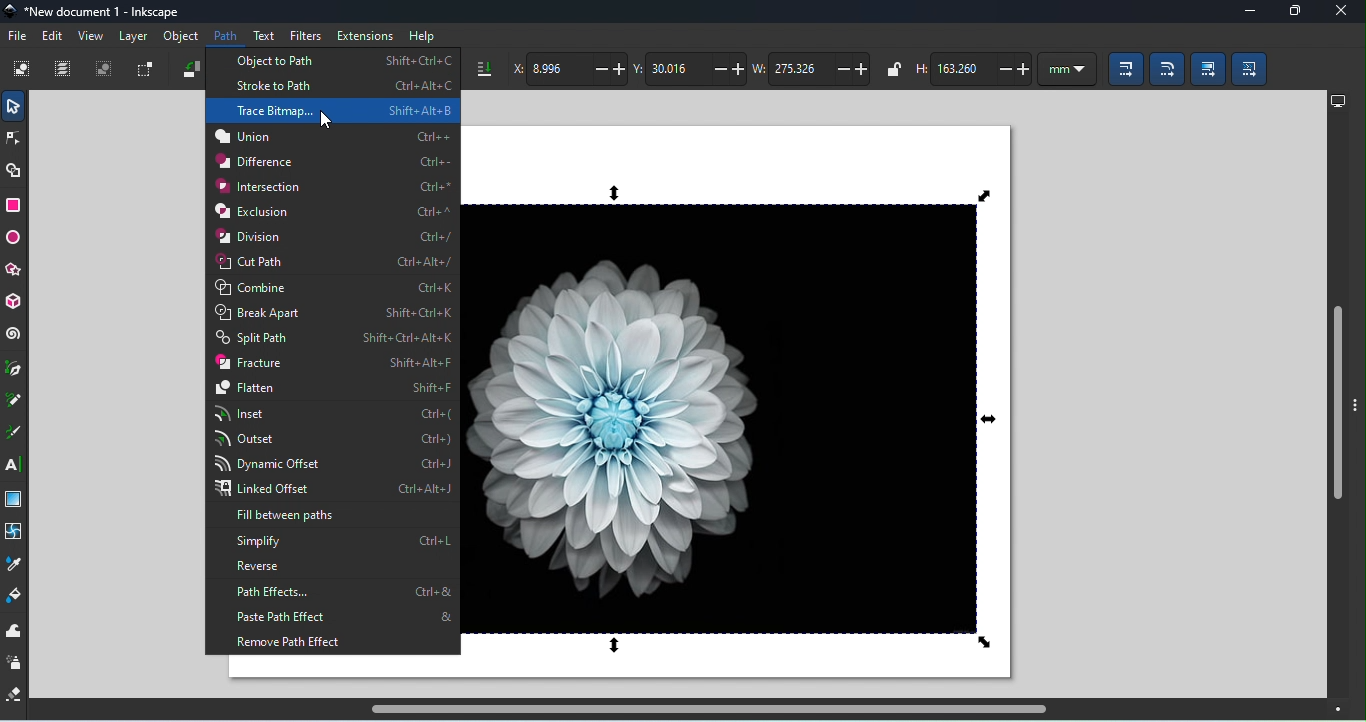 The image size is (1366, 722). Describe the element at coordinates (91, 39) in the screenshot. I see `View` at that location.